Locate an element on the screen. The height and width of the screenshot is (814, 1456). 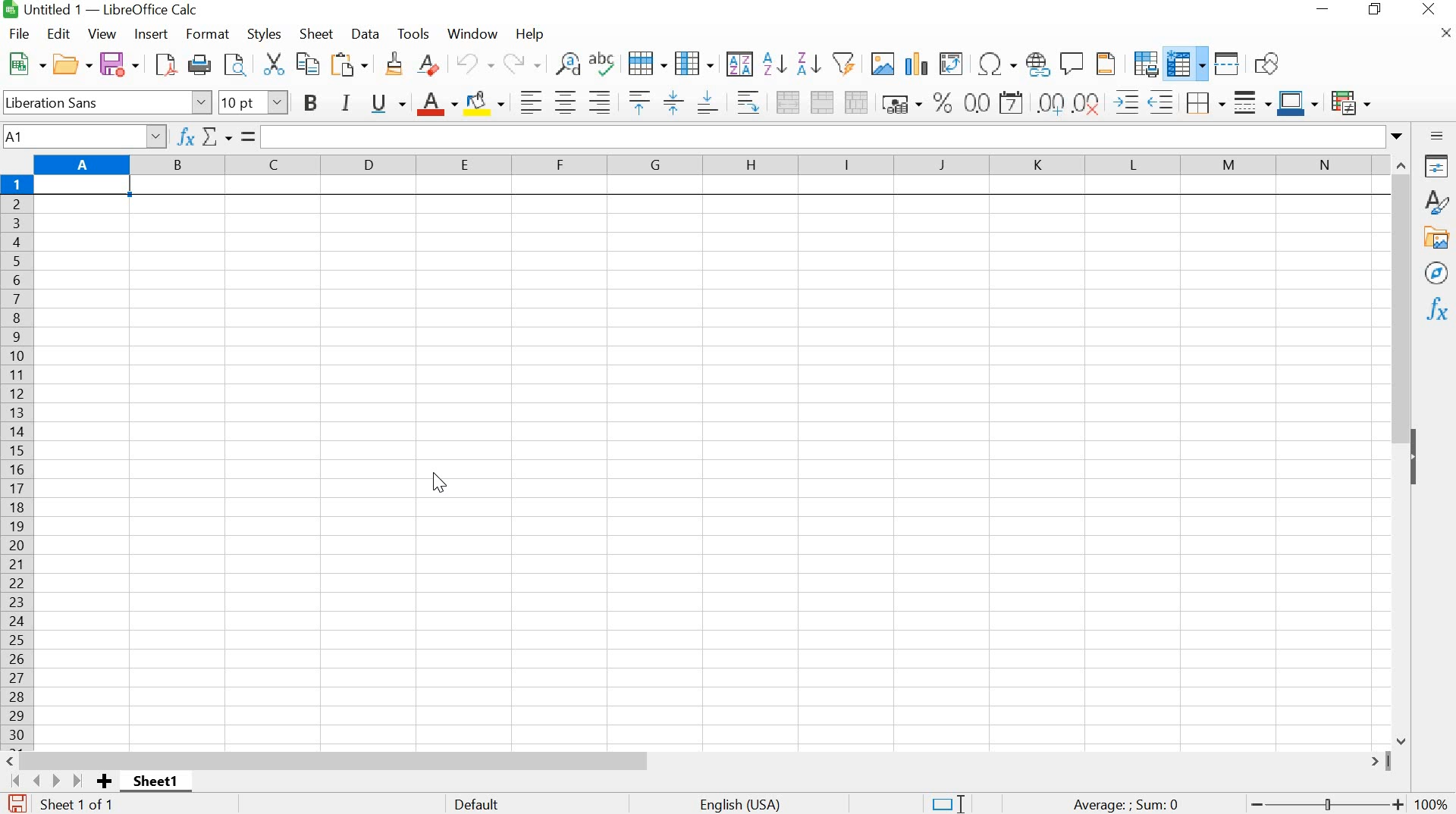
STANDARD SELECTION is located at coordinates (947, 804).